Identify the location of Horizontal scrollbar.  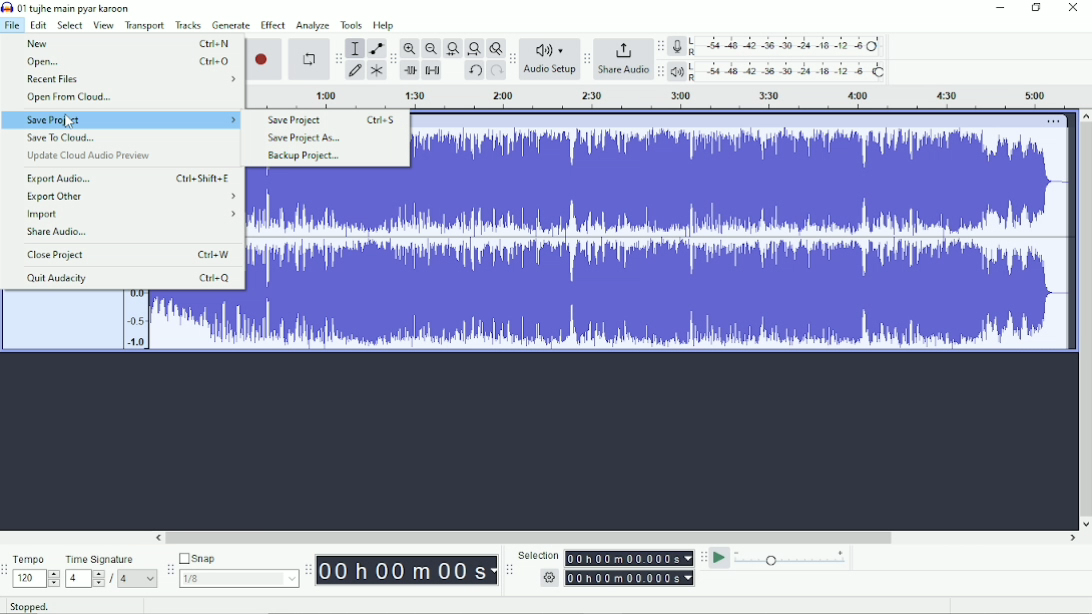
(615, 539).